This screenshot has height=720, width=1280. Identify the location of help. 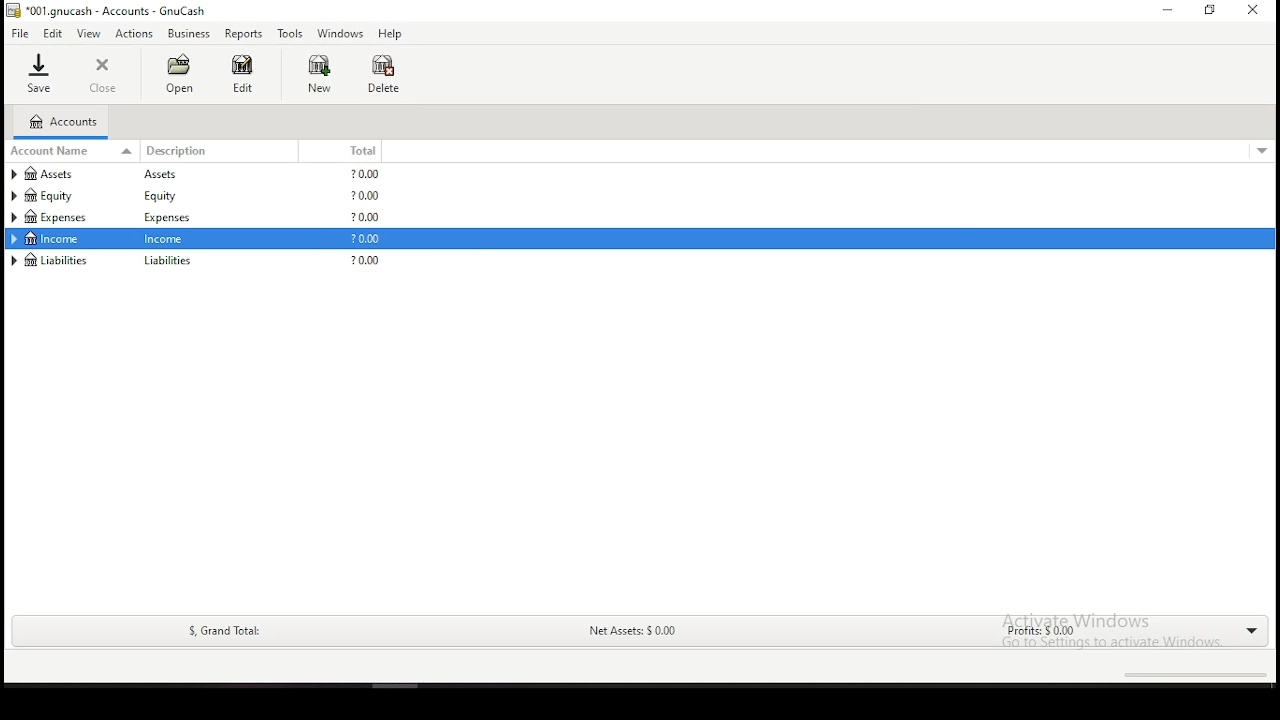
(390, 35).